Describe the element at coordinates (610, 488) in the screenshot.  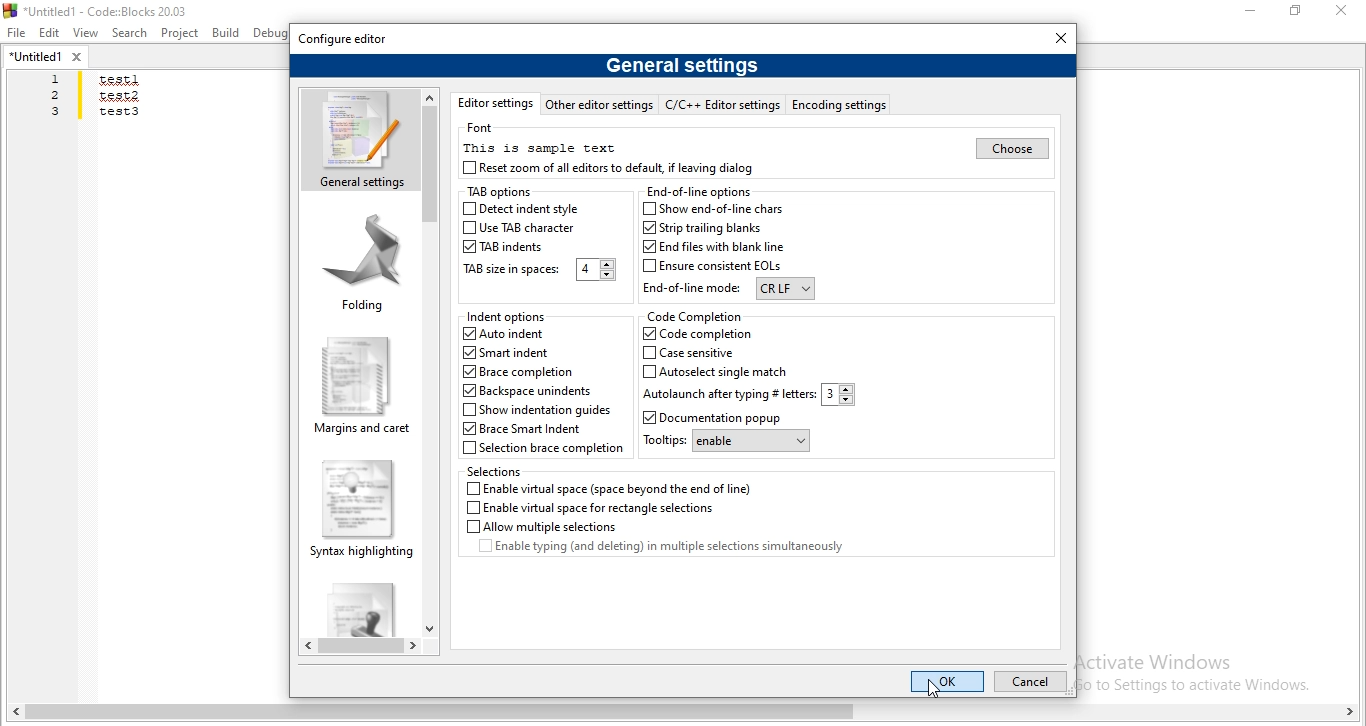
I see `Enable virtual space (space beyond the end of line)` at that location.